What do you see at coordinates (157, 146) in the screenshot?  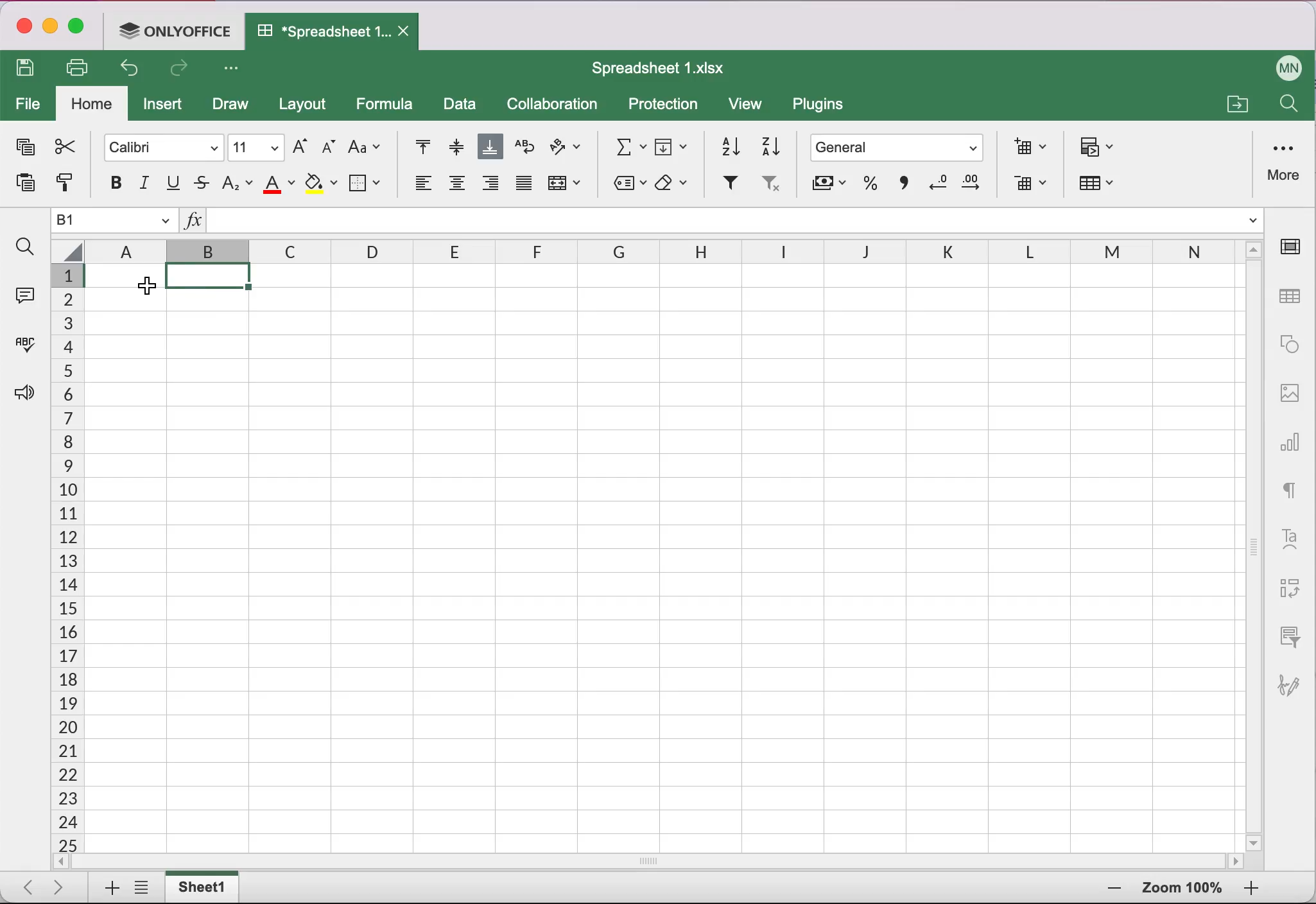 I see `font type calibri` at bounding box center [157, 146].